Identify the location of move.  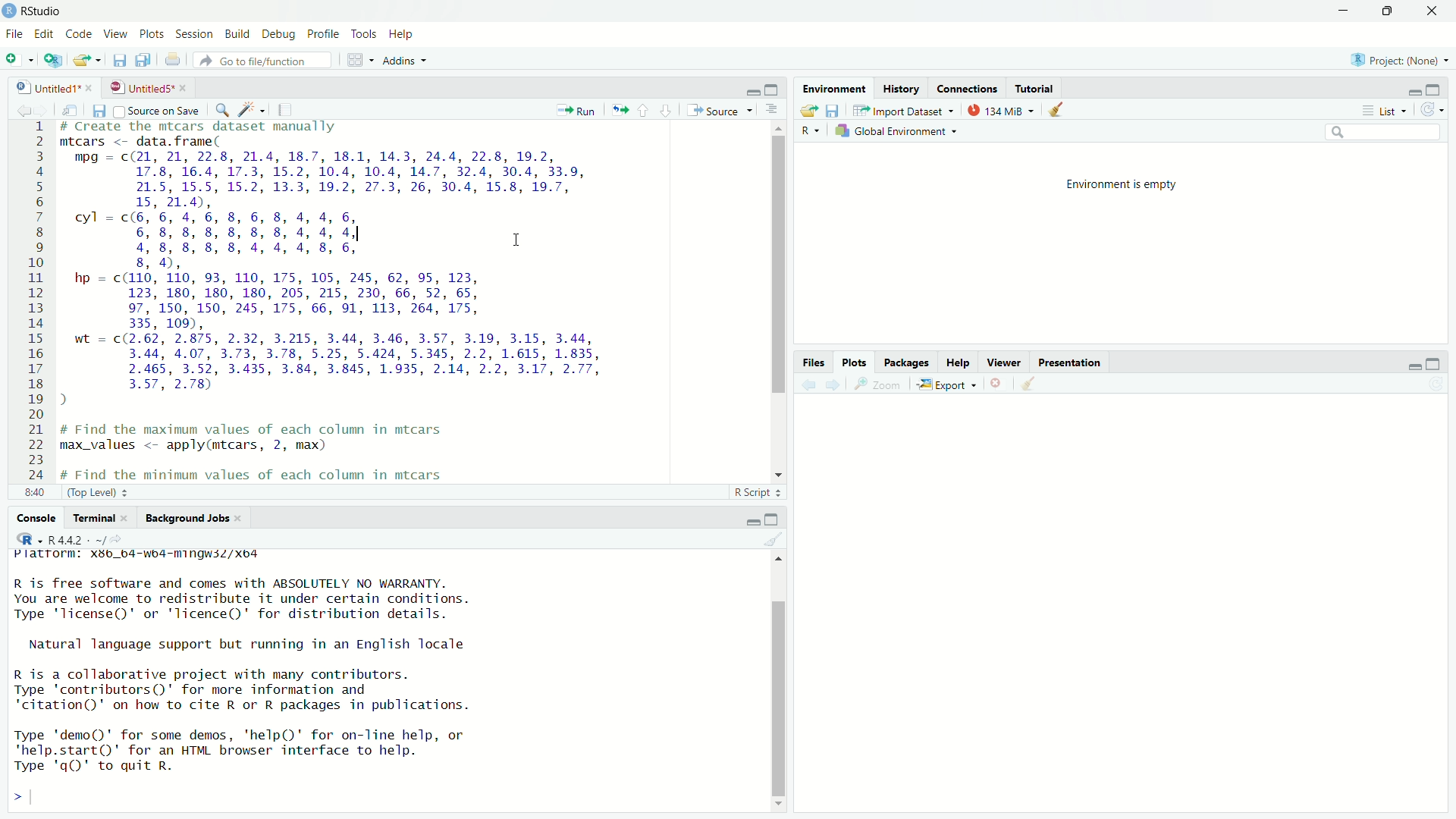
(807, 112).